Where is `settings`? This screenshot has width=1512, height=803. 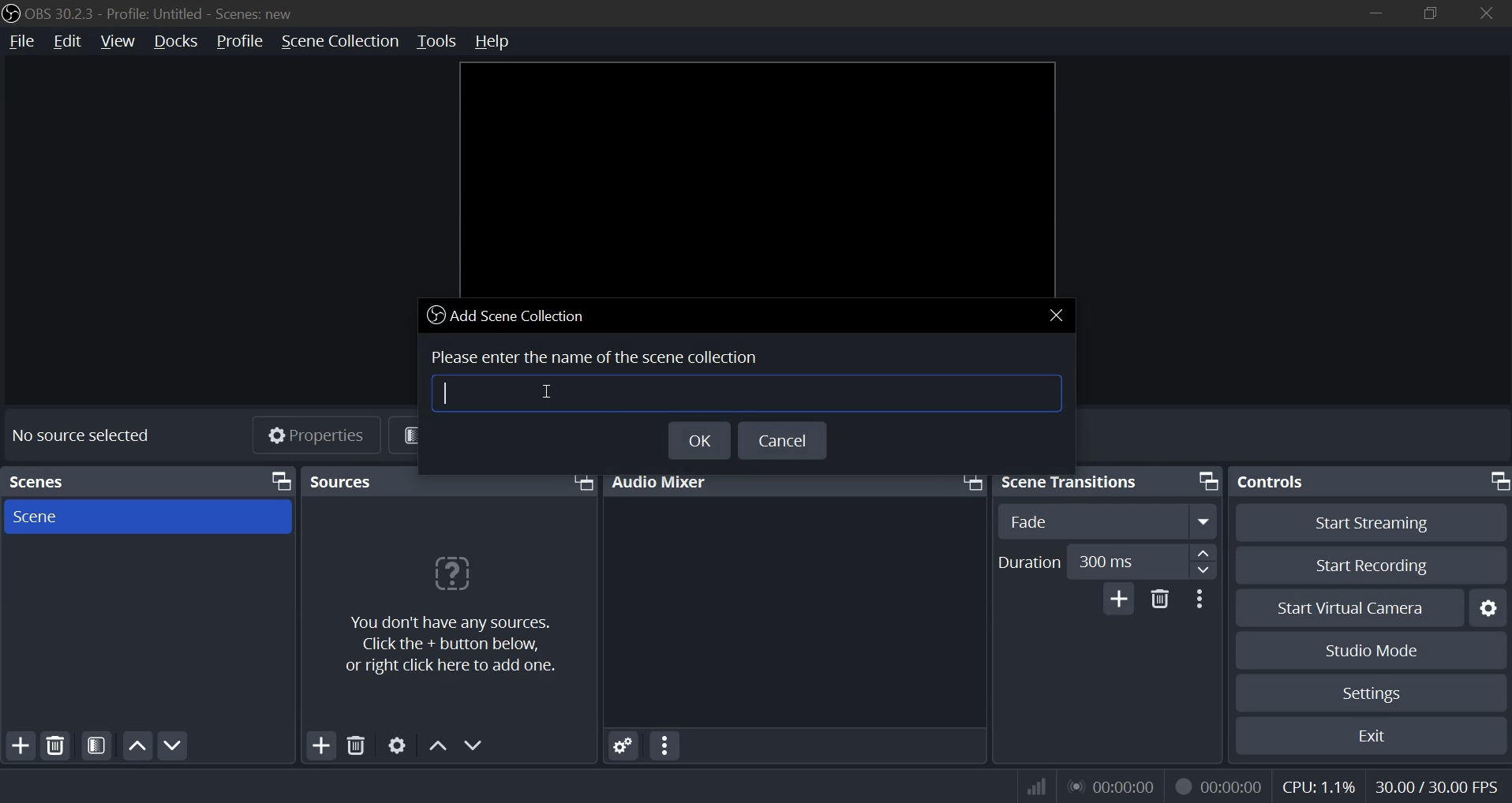 settings is located at coordinates (1374, 691).